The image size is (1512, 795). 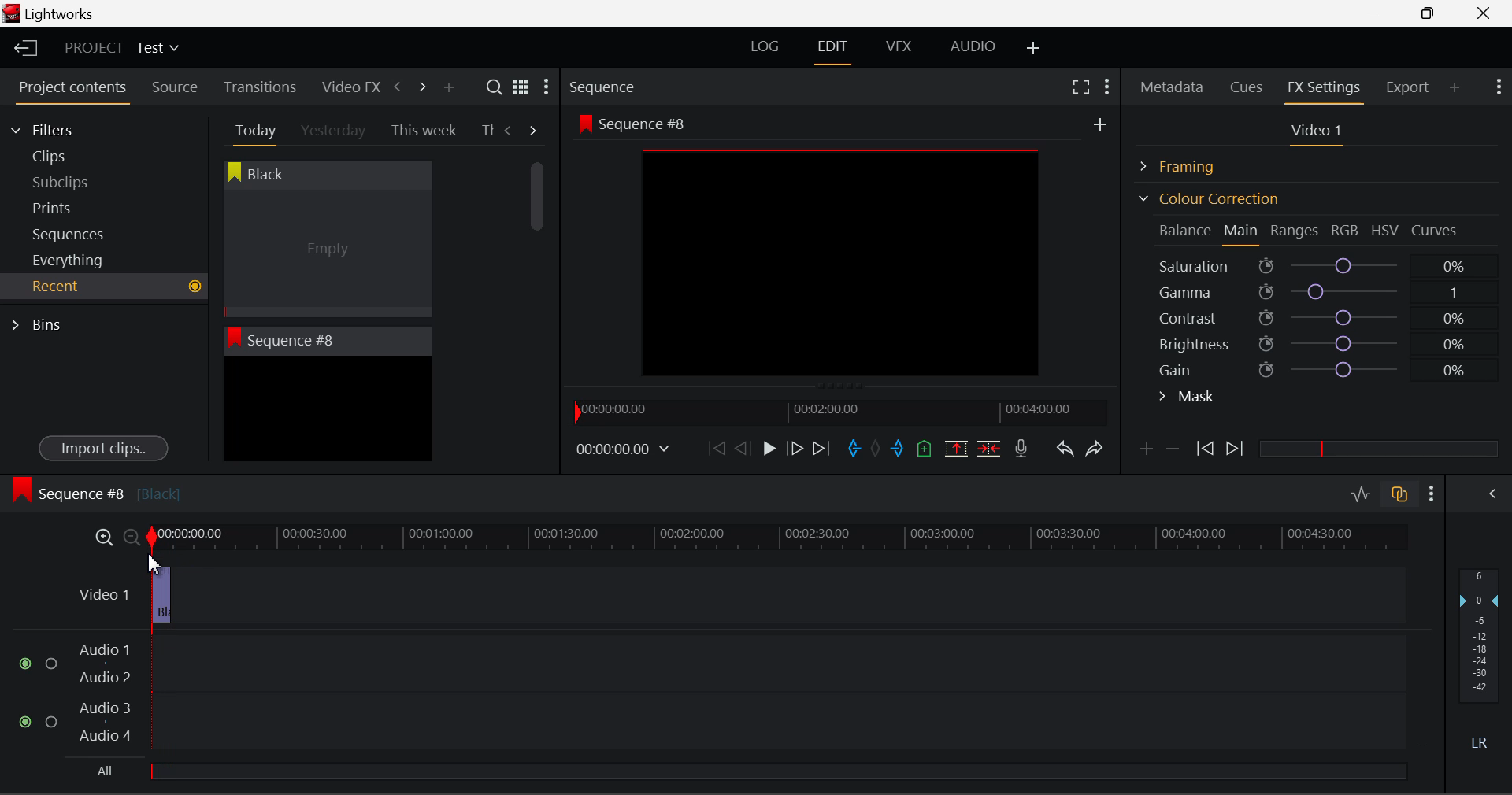 What do you see at coordinates (104, 594) in the screenshot?
I see `Video 1` at bounding box center [104, 594].